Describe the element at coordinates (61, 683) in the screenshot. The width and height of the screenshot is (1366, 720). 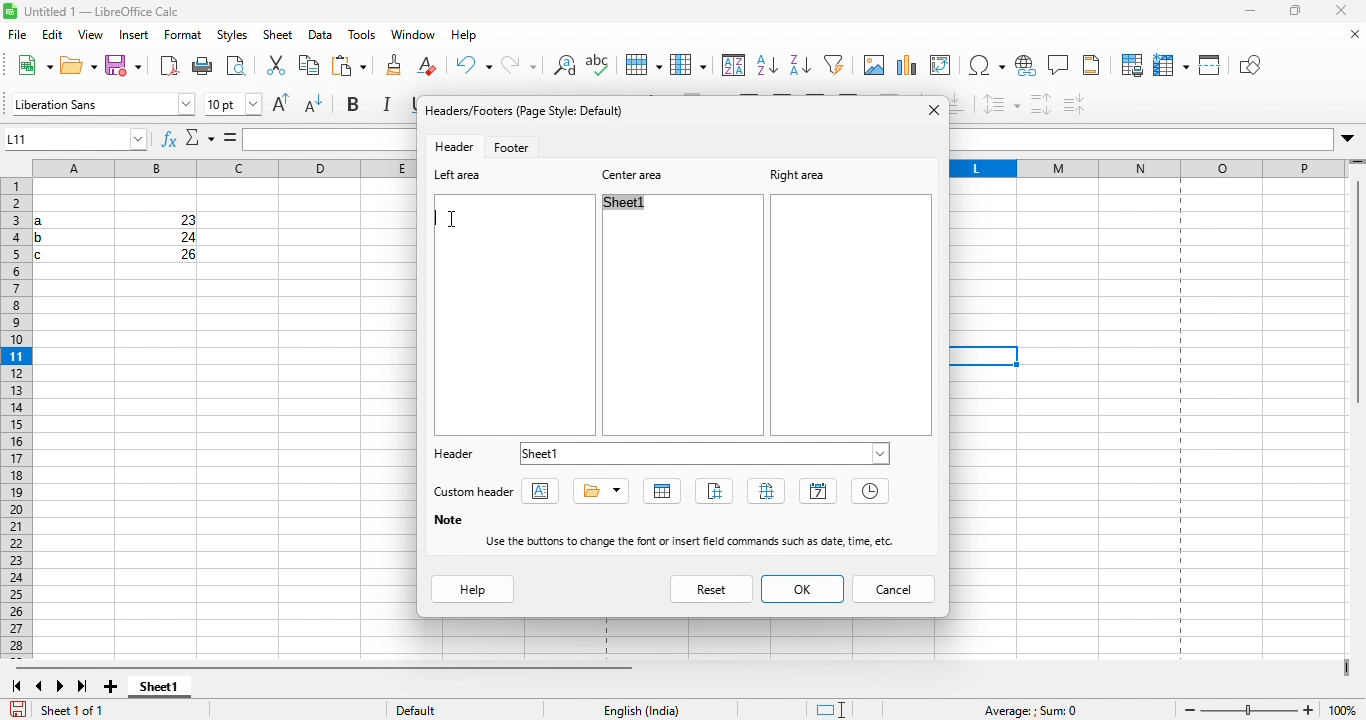
I see `next sheet` at that location.